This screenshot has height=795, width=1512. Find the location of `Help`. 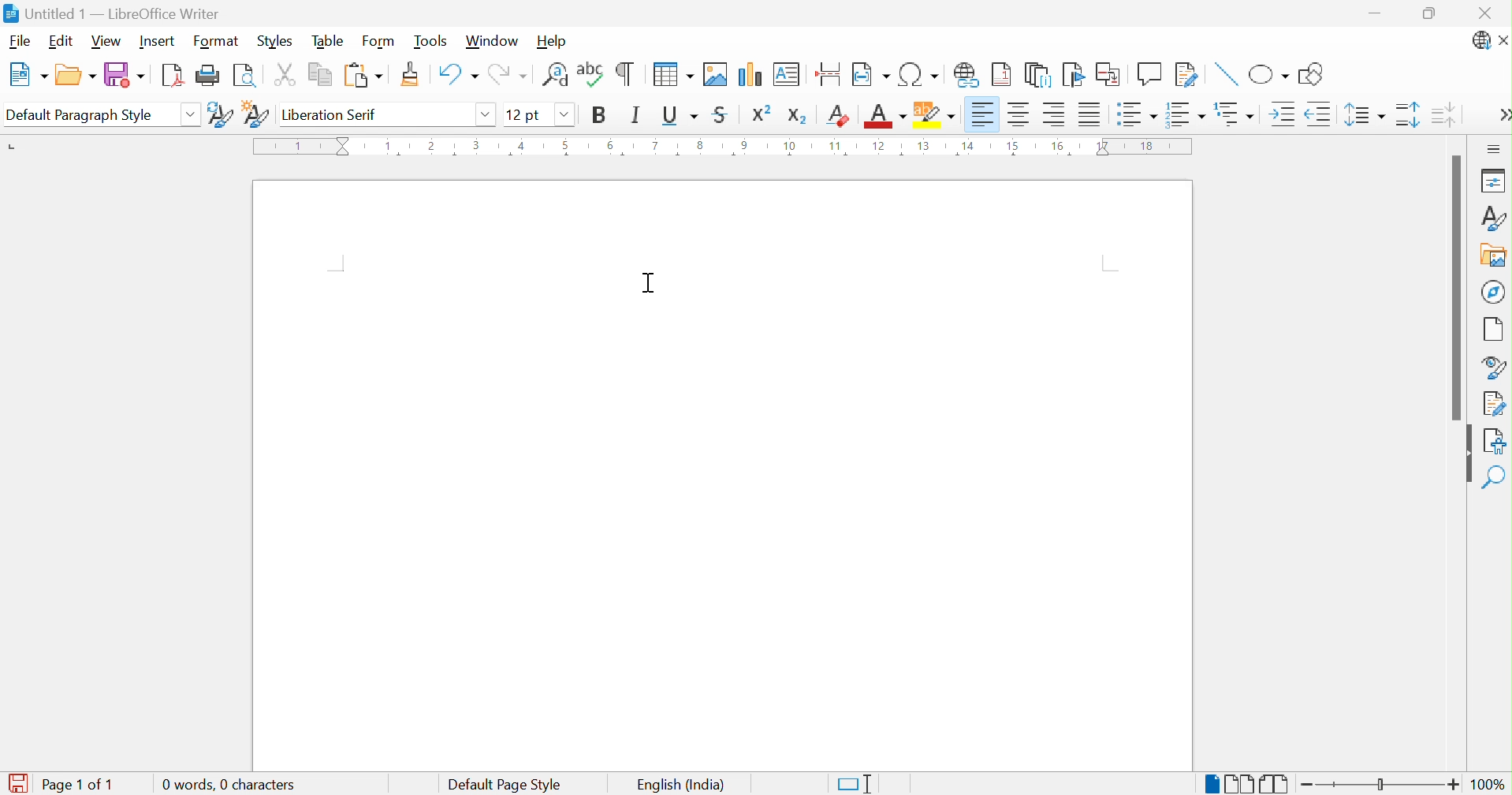

Help is located at coordinates (554, 42).